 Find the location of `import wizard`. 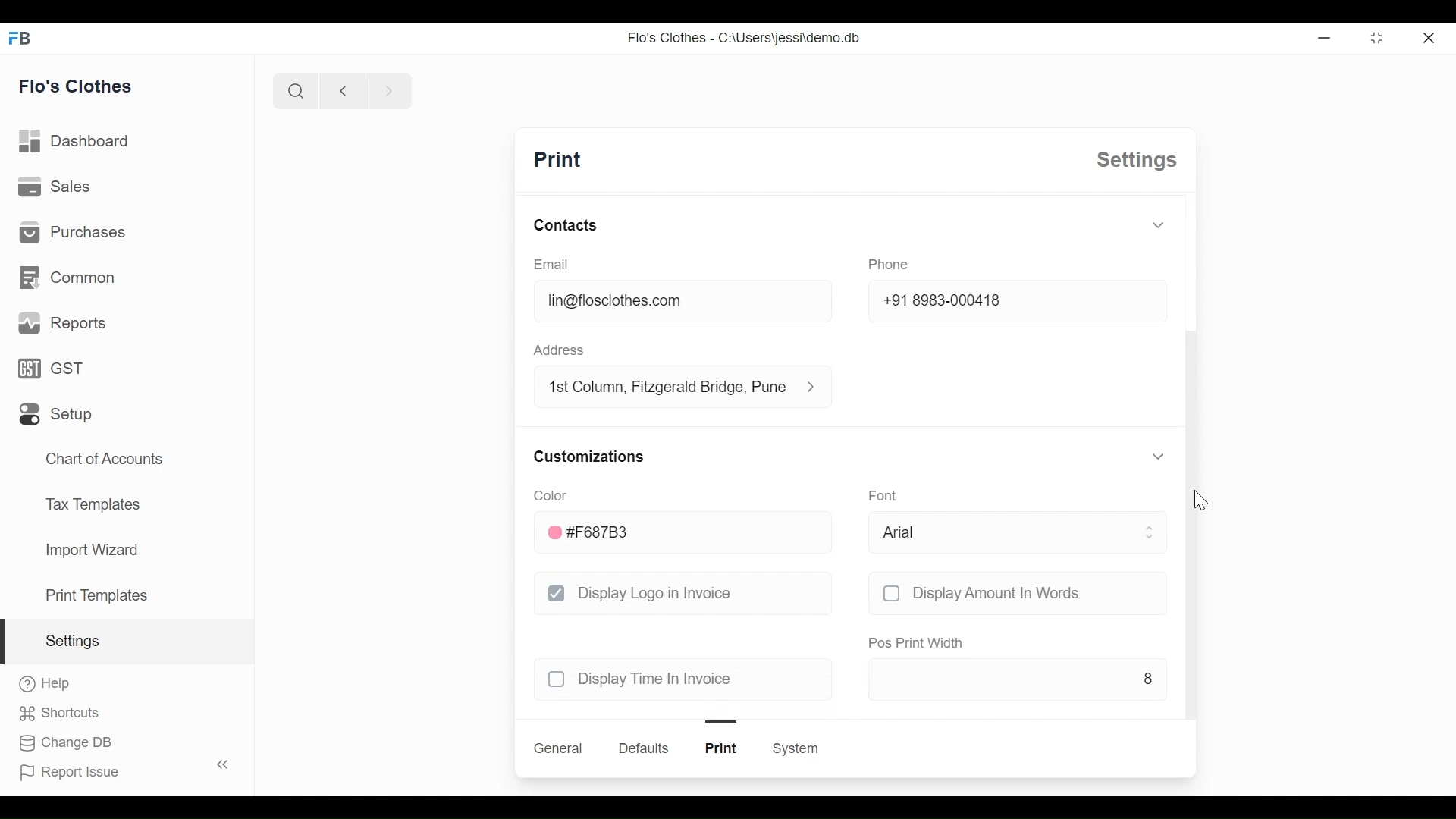

import wizard is located at coordinates (91, 550).